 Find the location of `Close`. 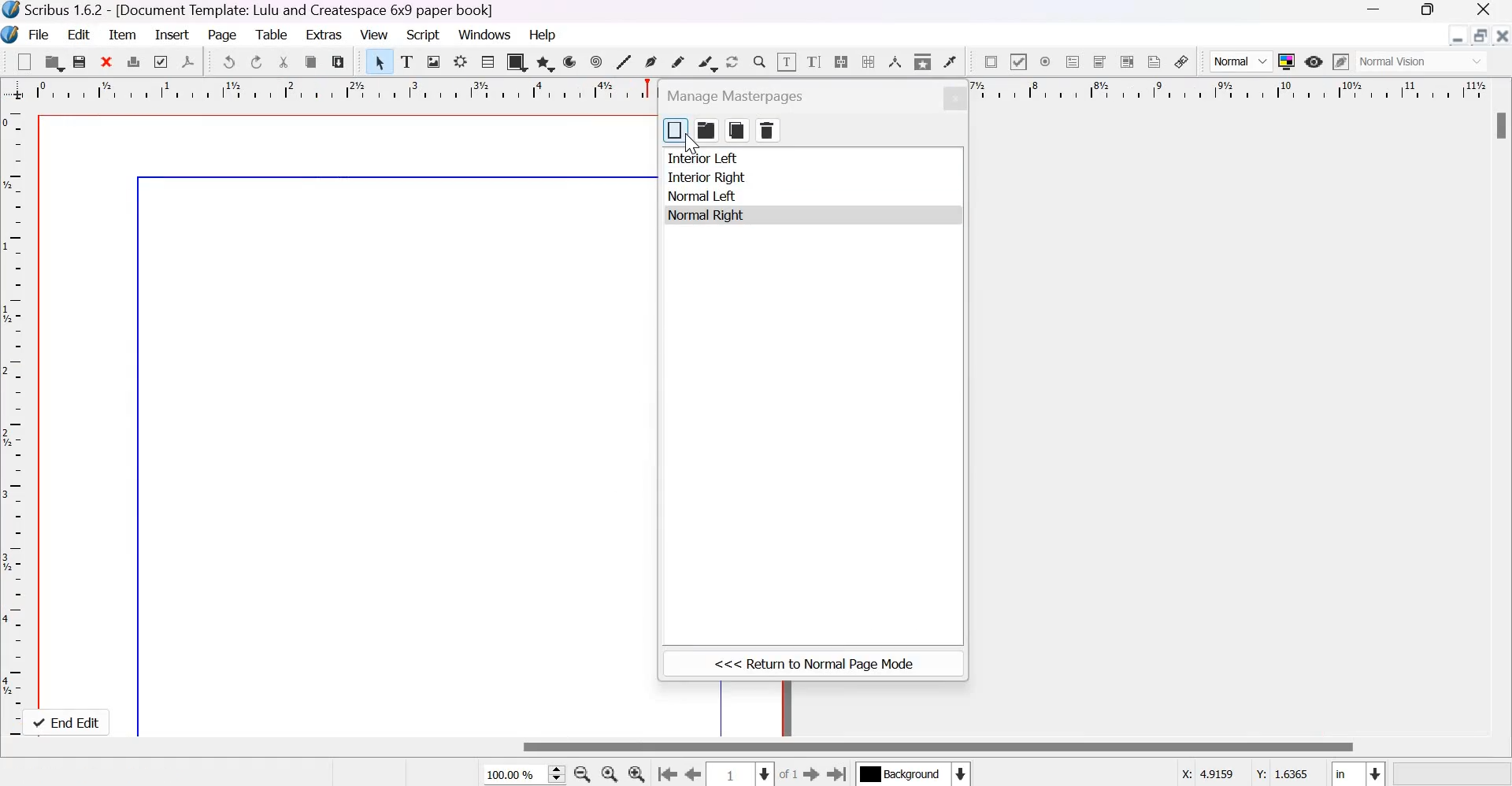

Close is located at coordinates (1484, 9).